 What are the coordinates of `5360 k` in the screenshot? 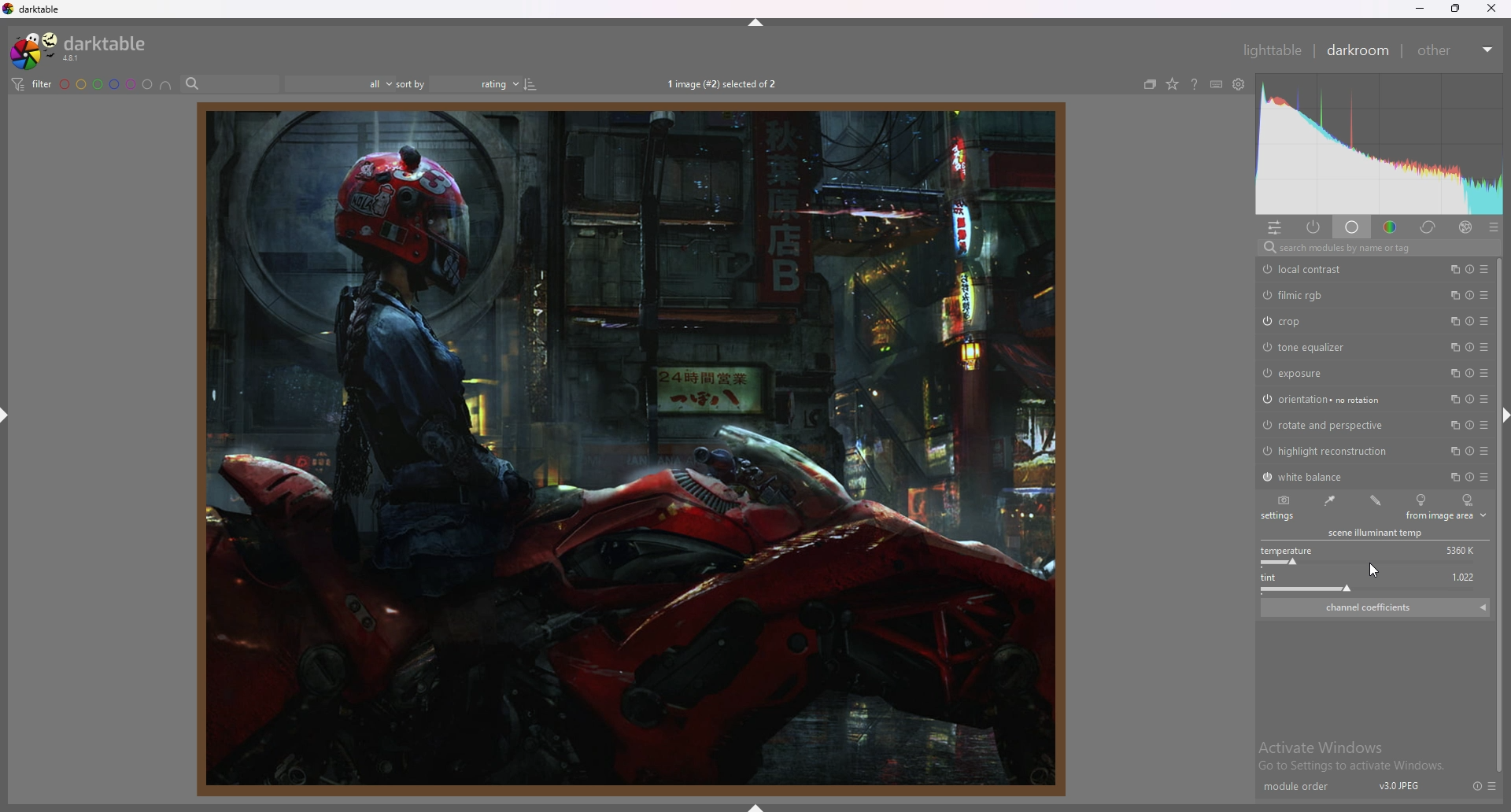 It's located at (1461, 550).